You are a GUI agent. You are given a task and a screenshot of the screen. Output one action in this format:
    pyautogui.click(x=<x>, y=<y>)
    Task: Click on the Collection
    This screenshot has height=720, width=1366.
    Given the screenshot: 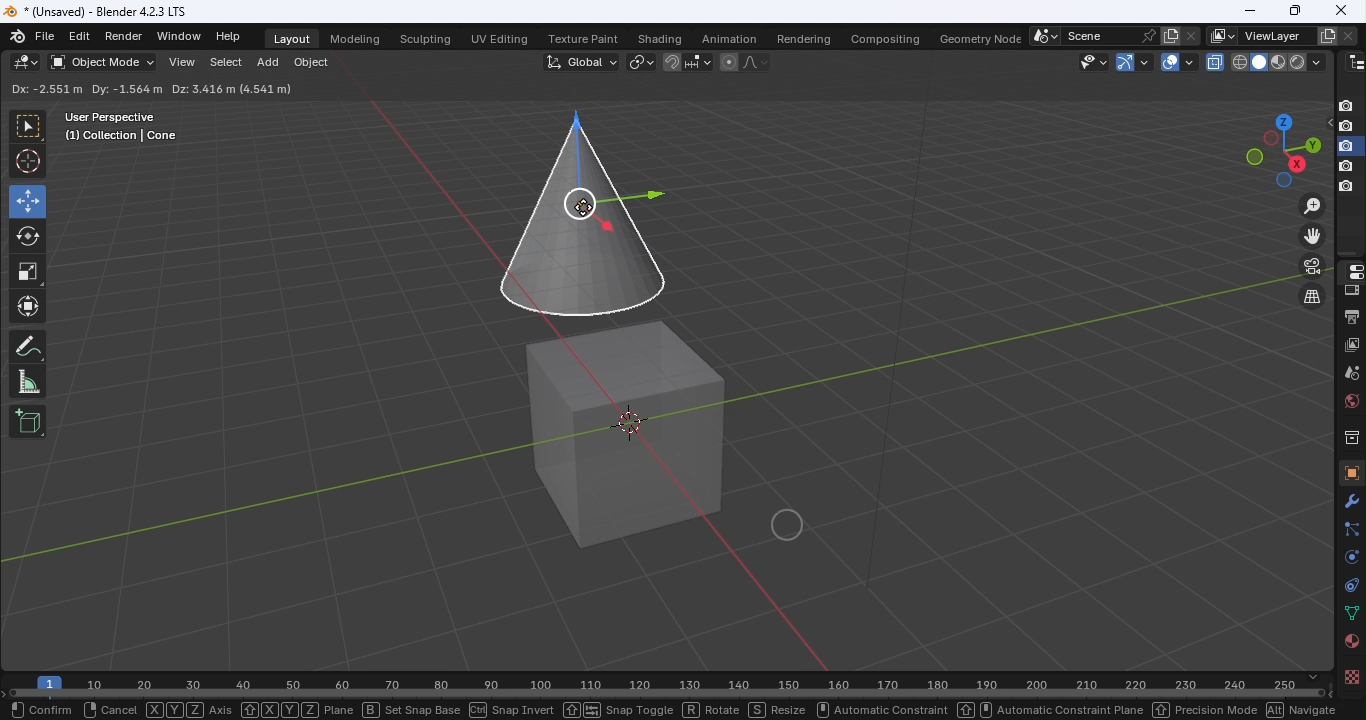 What is the action you would take?
    pyautogui.click(x=1350, y=436)
    